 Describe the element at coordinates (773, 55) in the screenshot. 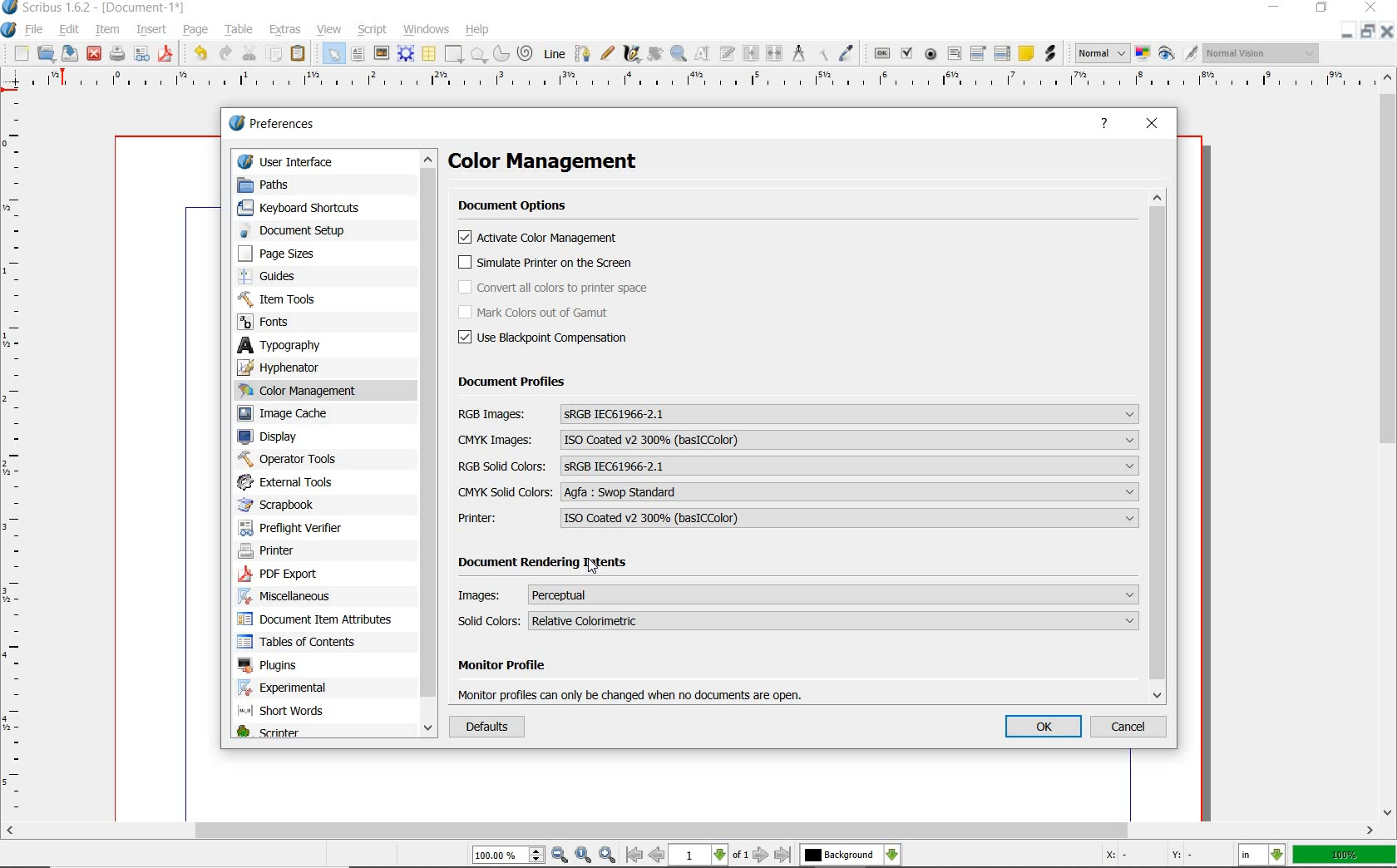

I see `unlink text frames` at that location.